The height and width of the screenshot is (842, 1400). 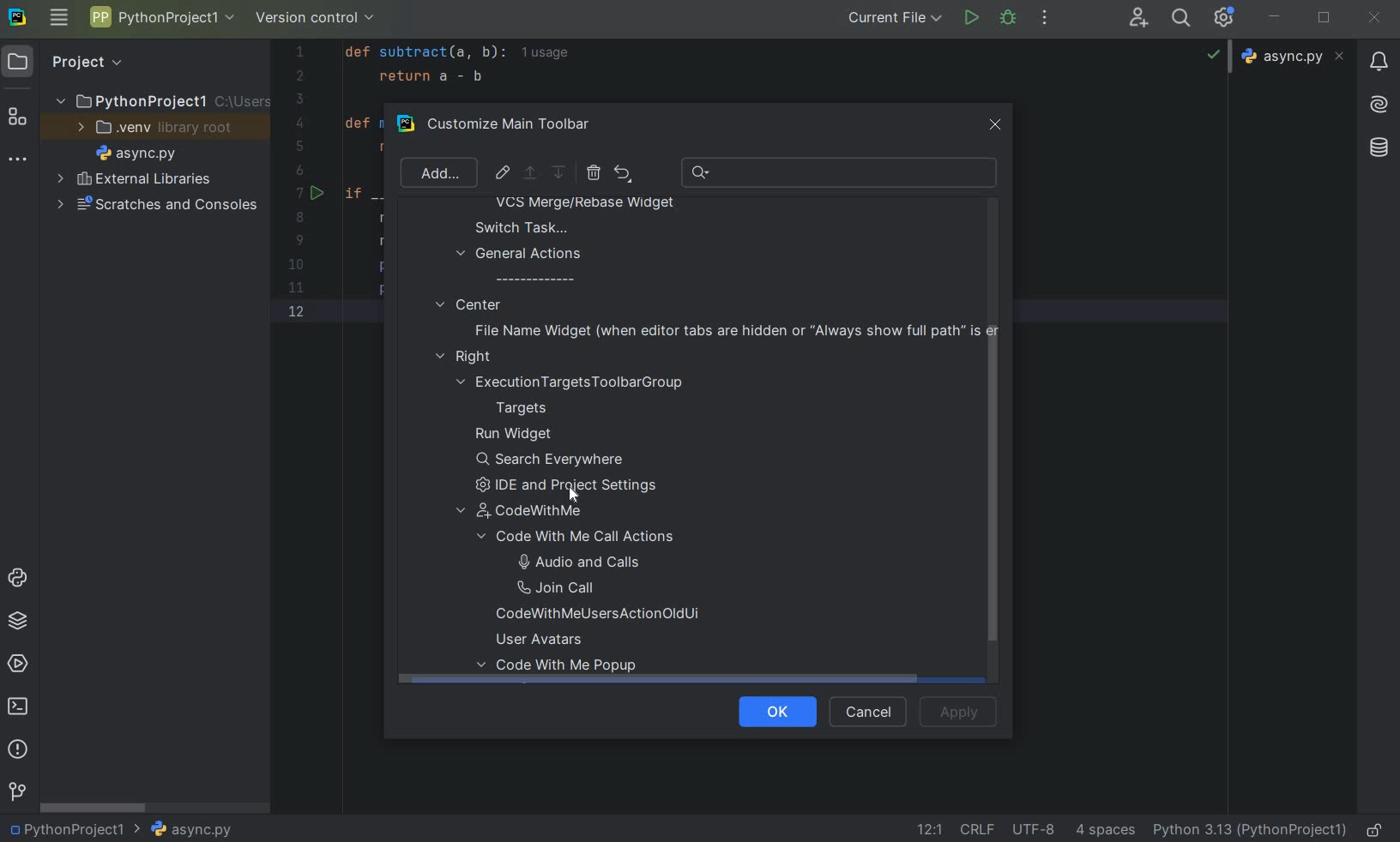 I want to click on CURRENT INTERPRETER, so click(x=1249, y=829).